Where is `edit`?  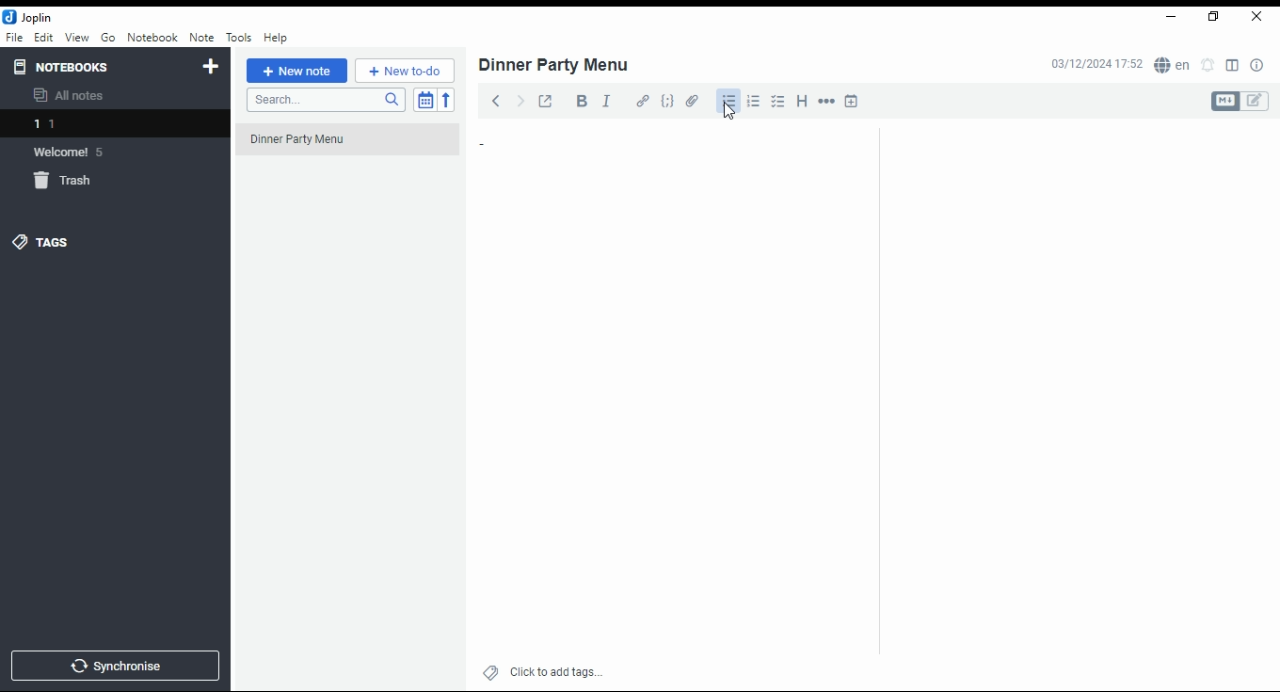 edit is located at coordinates (44, 37).